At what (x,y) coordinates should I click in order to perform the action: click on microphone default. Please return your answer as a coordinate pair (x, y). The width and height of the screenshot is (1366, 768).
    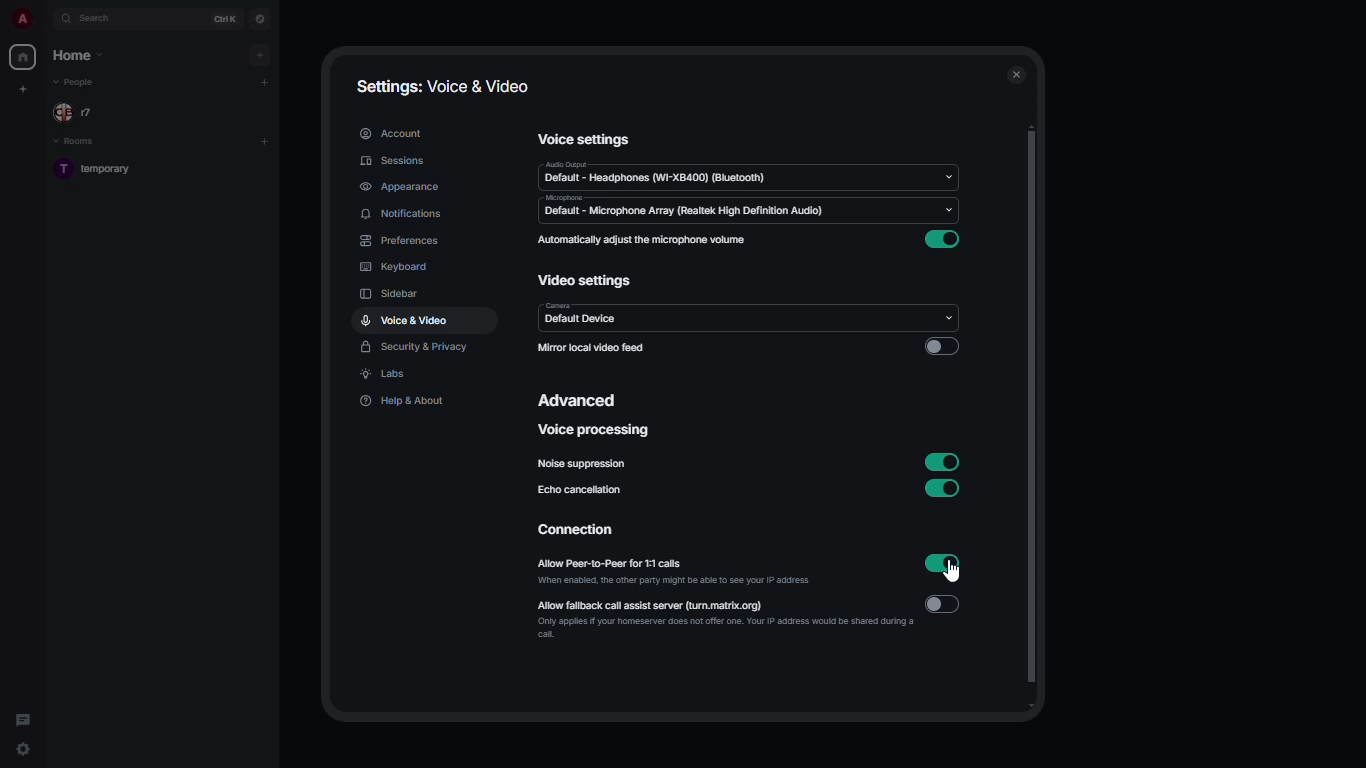
    Looking at the image, I should click on (686, 208).